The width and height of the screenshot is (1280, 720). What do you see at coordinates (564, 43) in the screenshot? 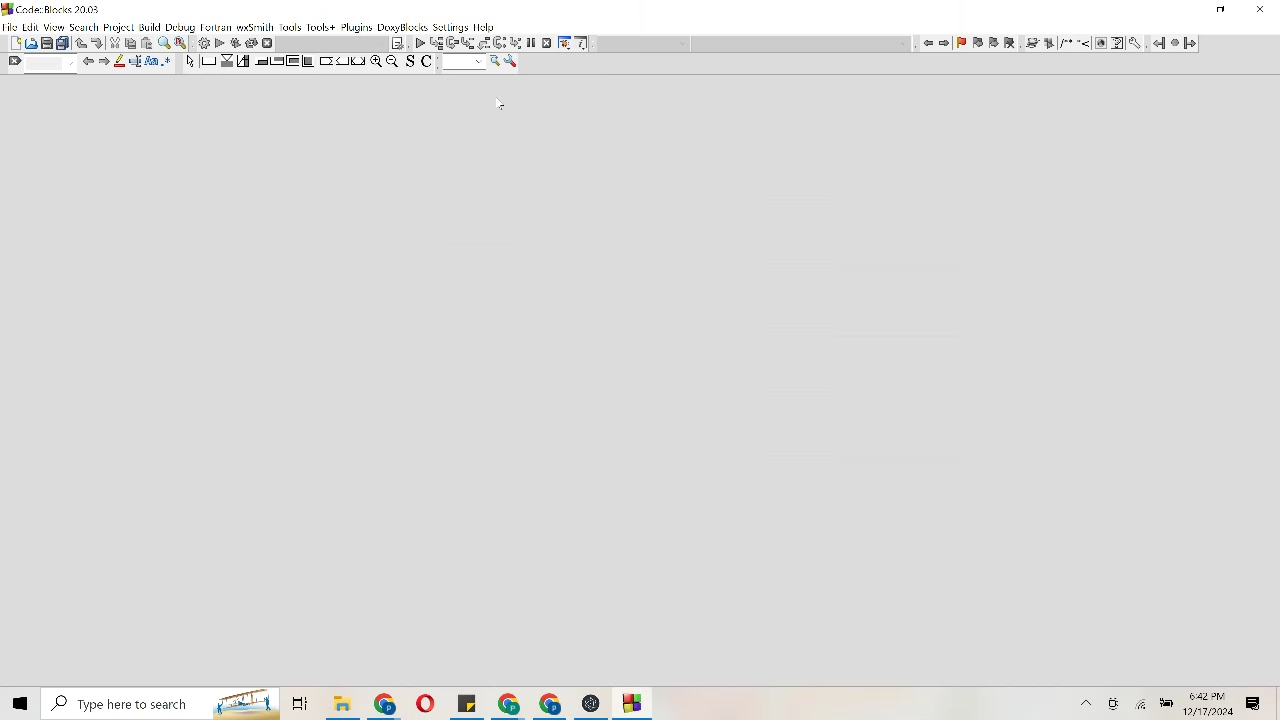
I see `Tools` at bounding box center [564, 43].